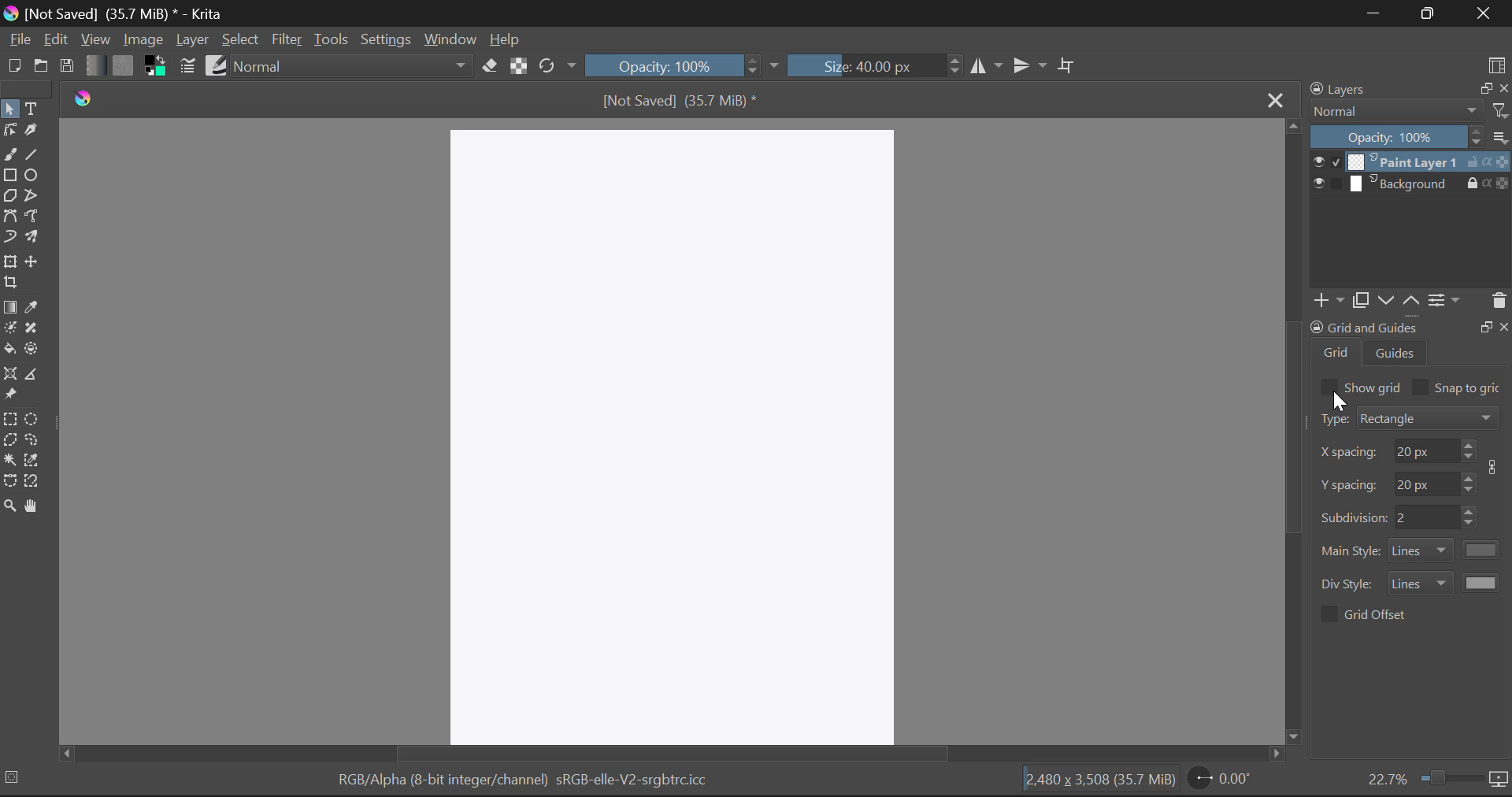 Image resolution: width=1512 pixels, height=797 pixels. I want to click on , so click(1505, 325).